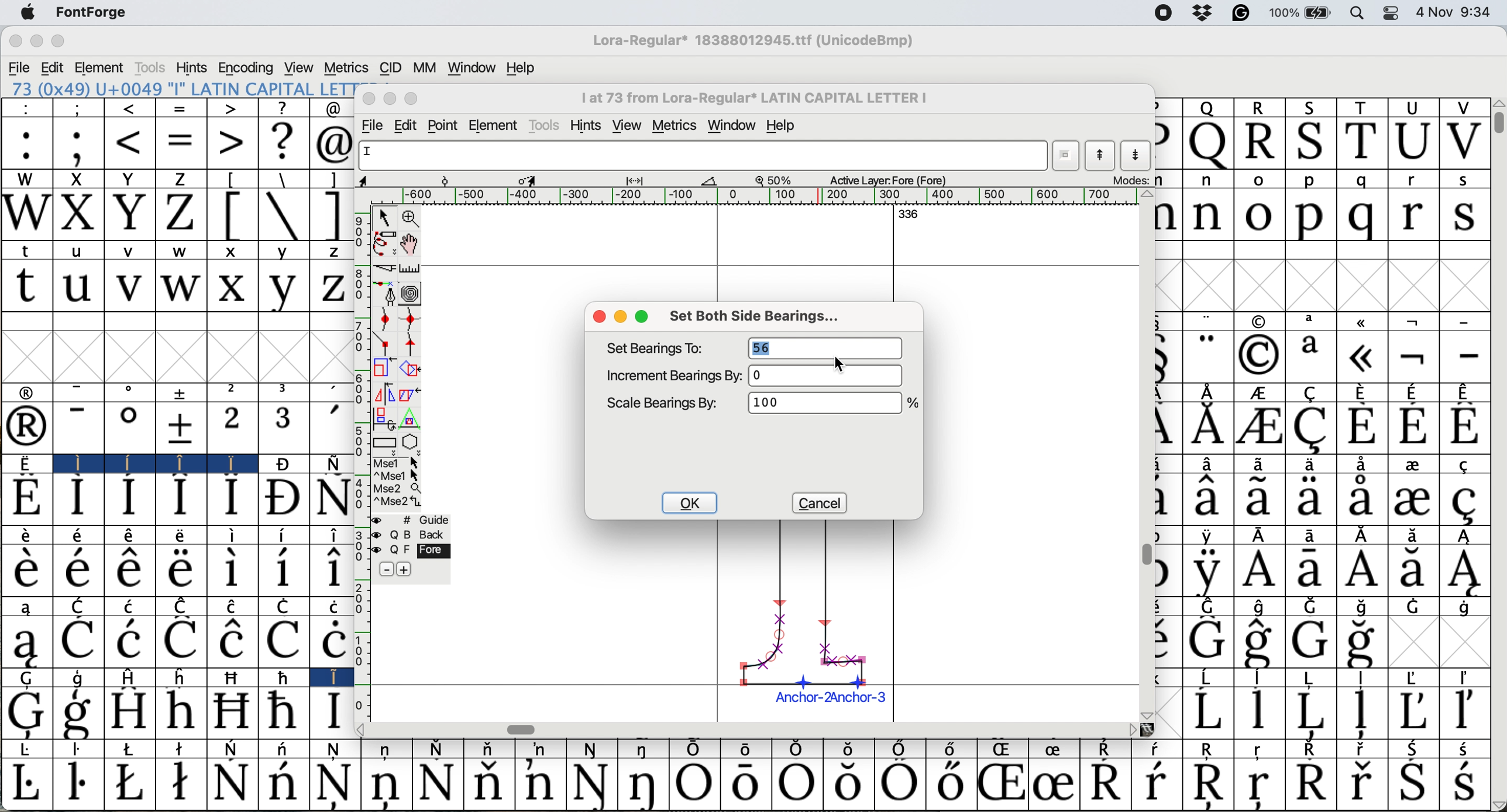  I want to click on ], so click(333, 180).